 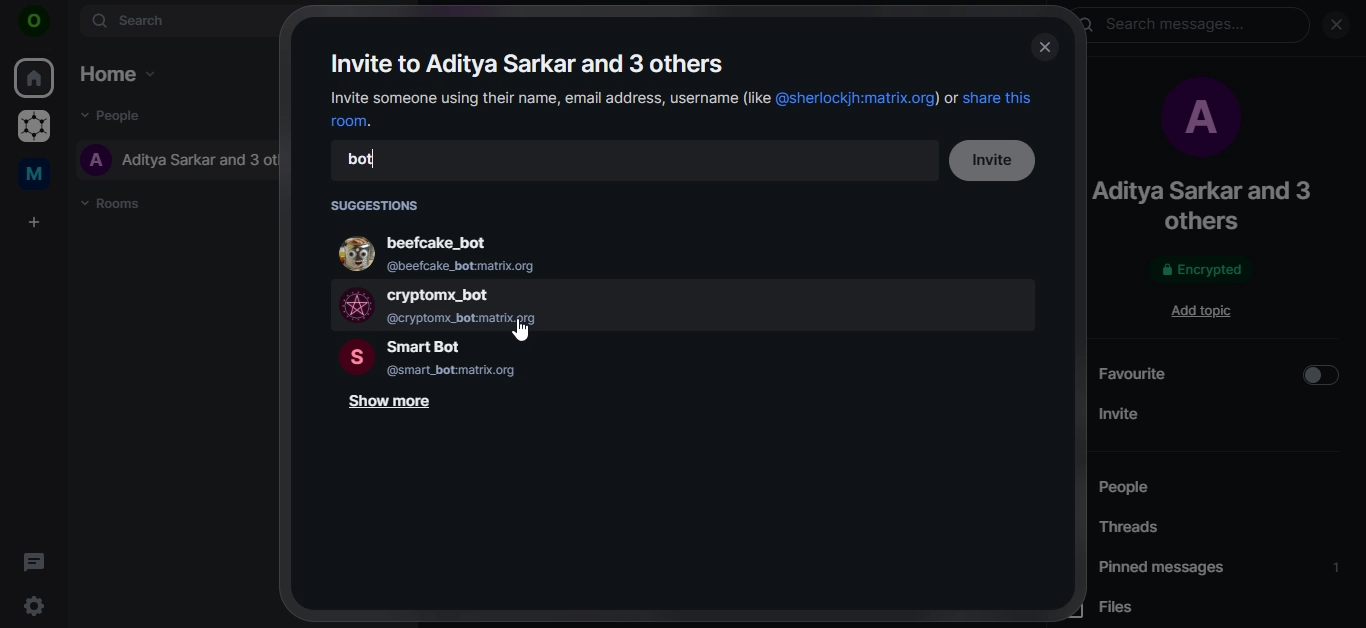 What do you see at coordinates (1193, 27) in the screenshot?
I see `search messages` at bounding box center [1193, 27].